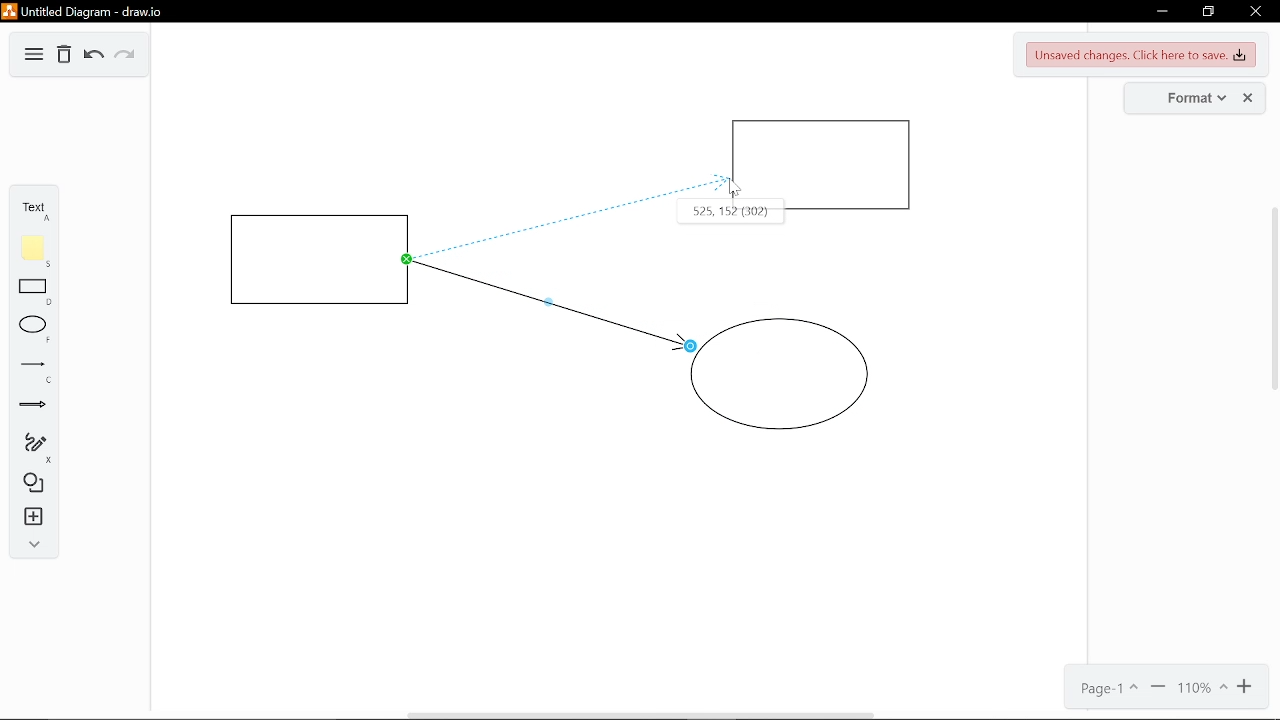 The width and height of the screenshot is (1280, 720). What do you see at coordinates (1249, 687) in the screenshot?
I see `Zoom in` at bounding box center [1249, 687].